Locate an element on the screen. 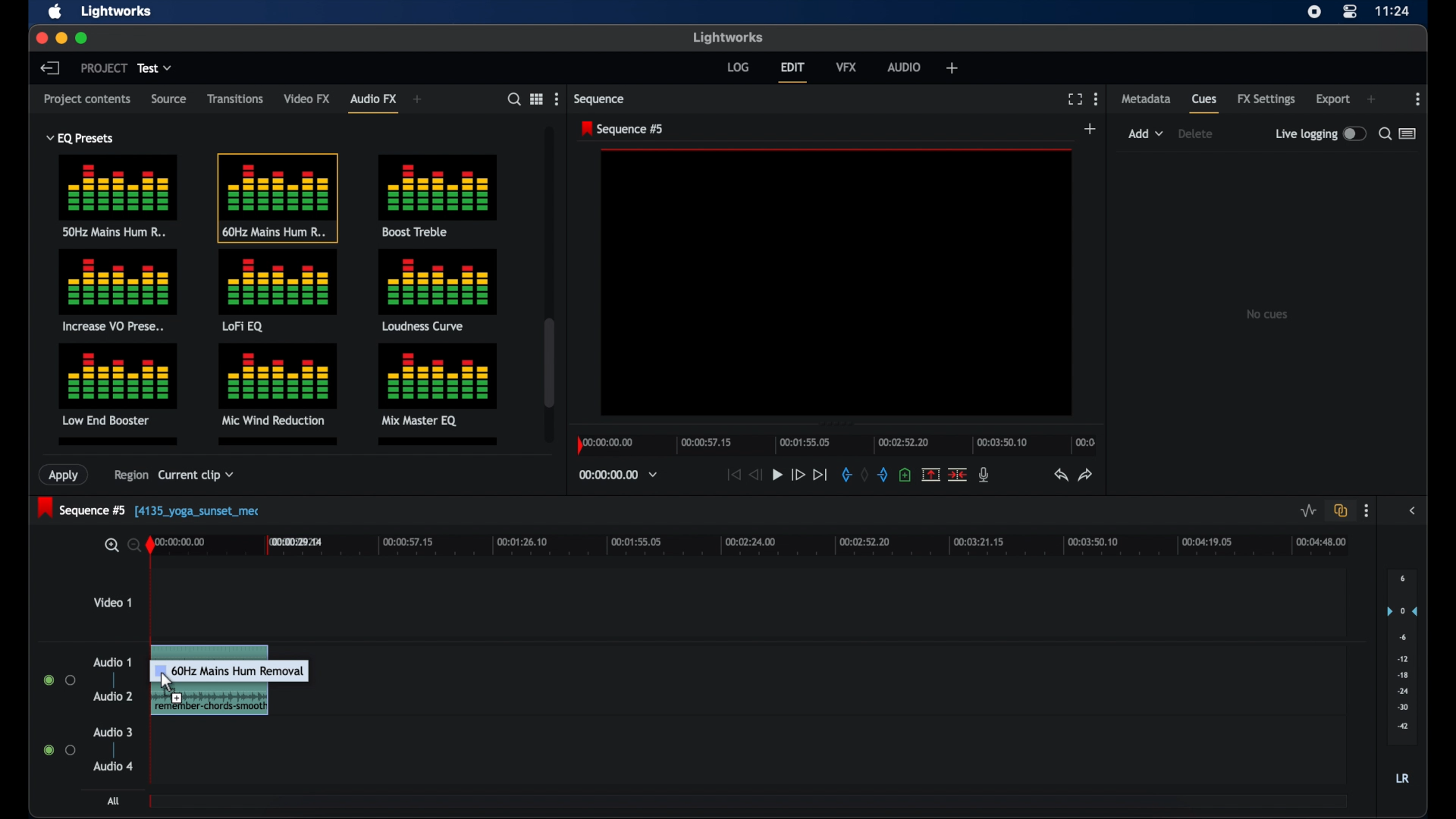  more options is located at coordinates (556, 99).